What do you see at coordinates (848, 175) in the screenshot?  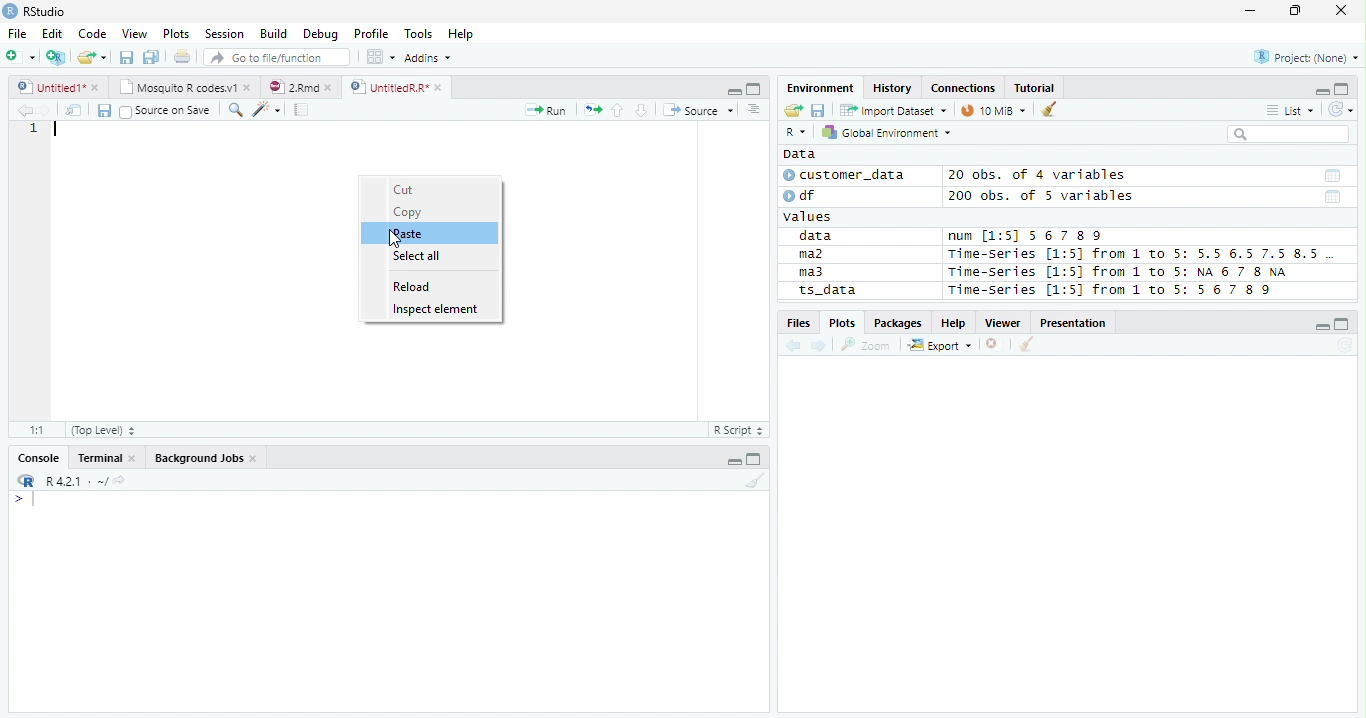 I see `customer_data` at bounding box center [848, 175].